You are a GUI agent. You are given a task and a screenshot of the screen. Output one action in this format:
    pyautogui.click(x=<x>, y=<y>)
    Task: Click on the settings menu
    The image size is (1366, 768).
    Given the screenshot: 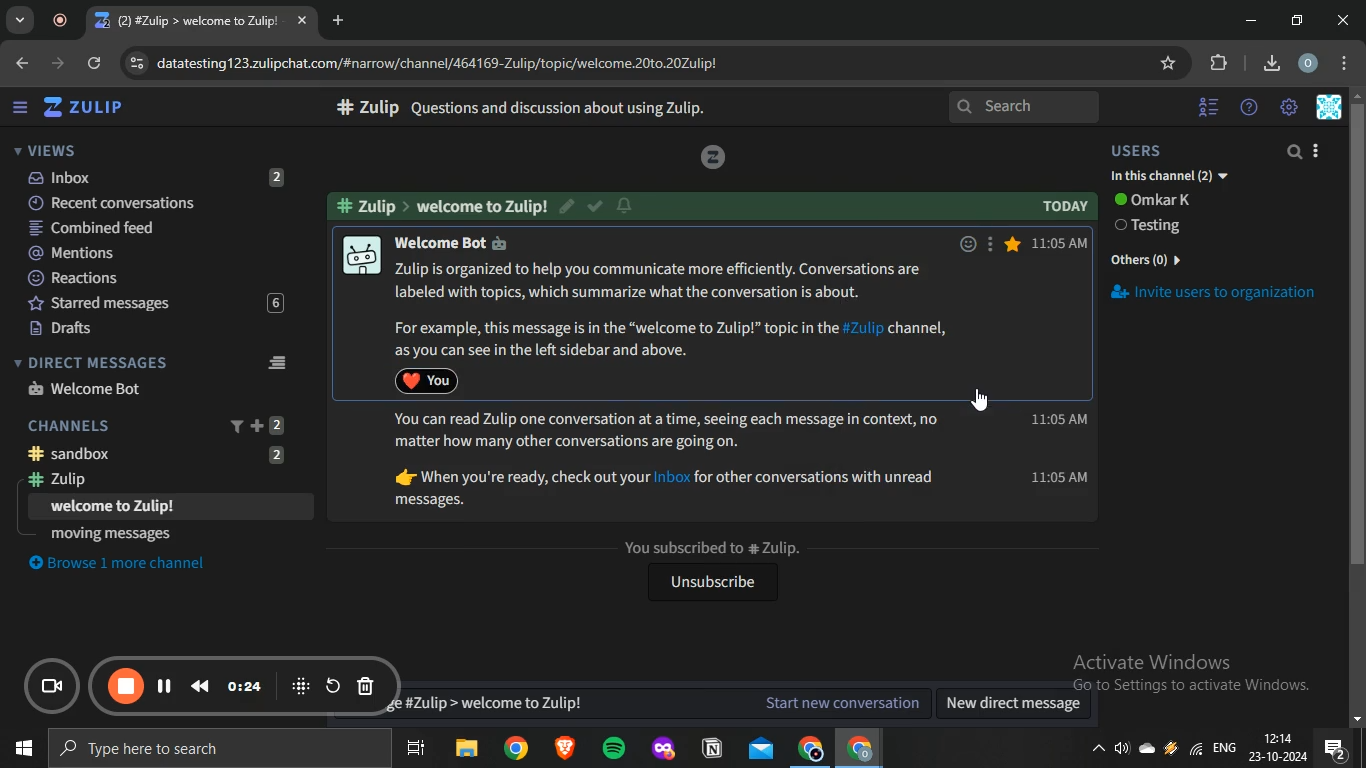 What is the action you would take?
    pyautogui.click(x=1348, y=64)
    